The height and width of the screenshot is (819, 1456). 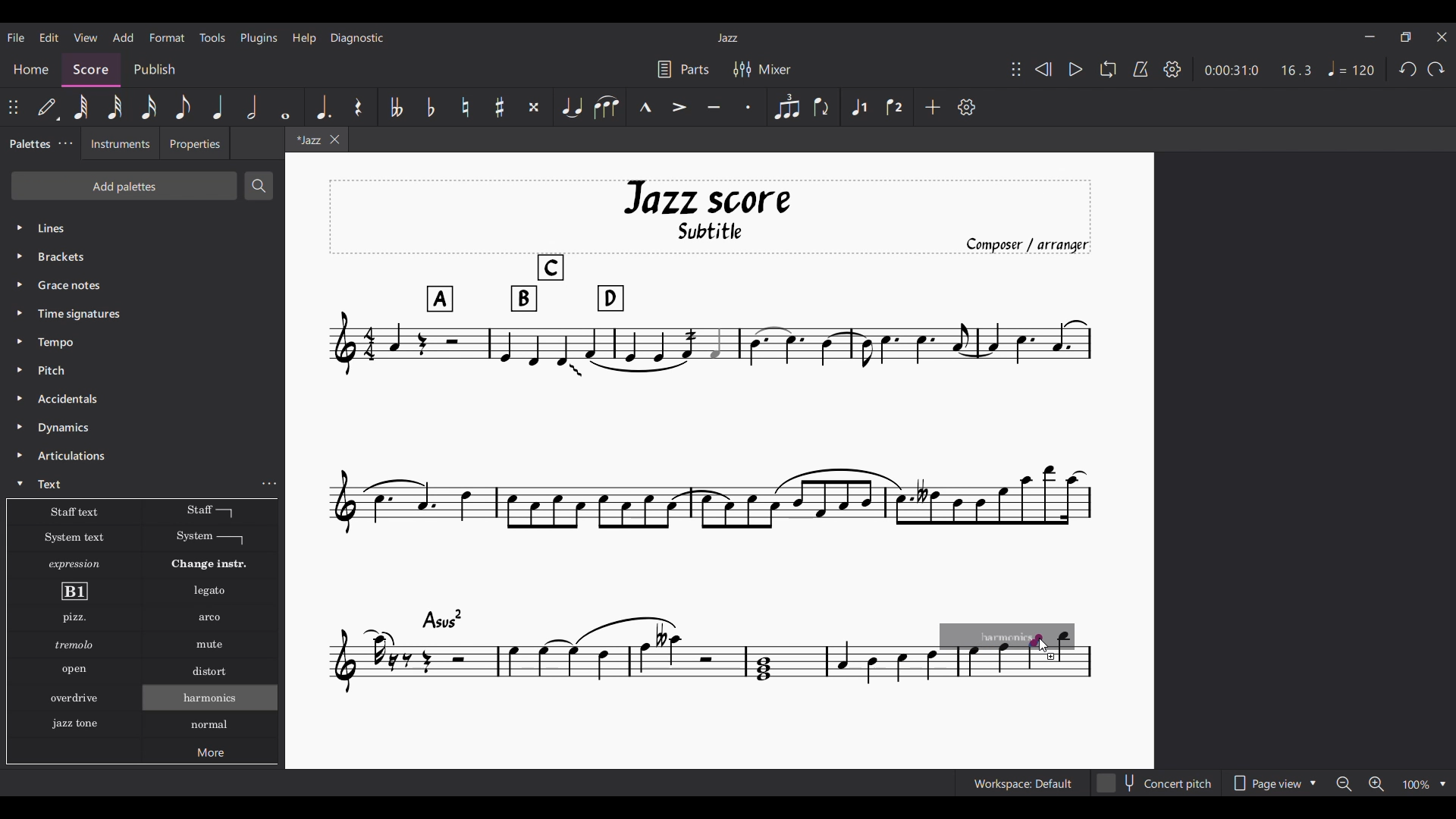 What do you see at coordinates (86, 38) in the screenshot?
I see `View menu` at bounding box center [86, 38].